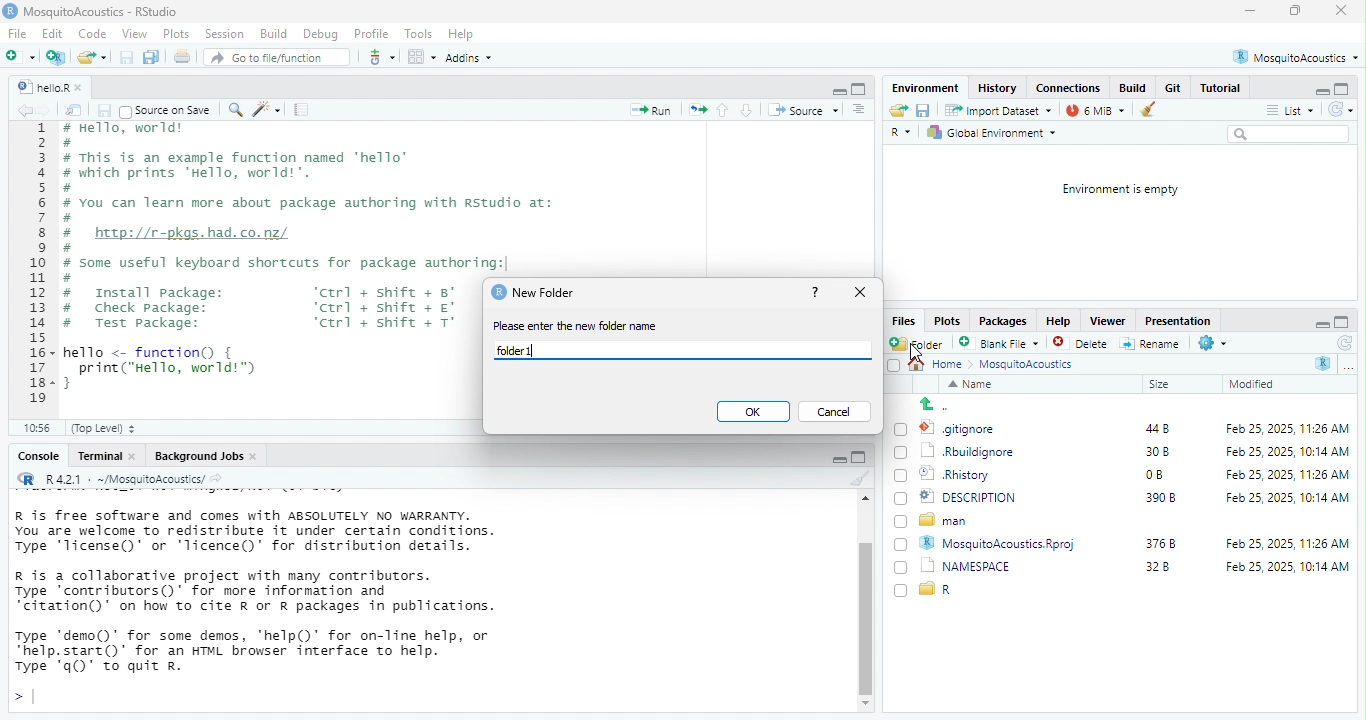 This screenshot has height=720, width=1366. I want to click on Presentation, so click(1176, 321).